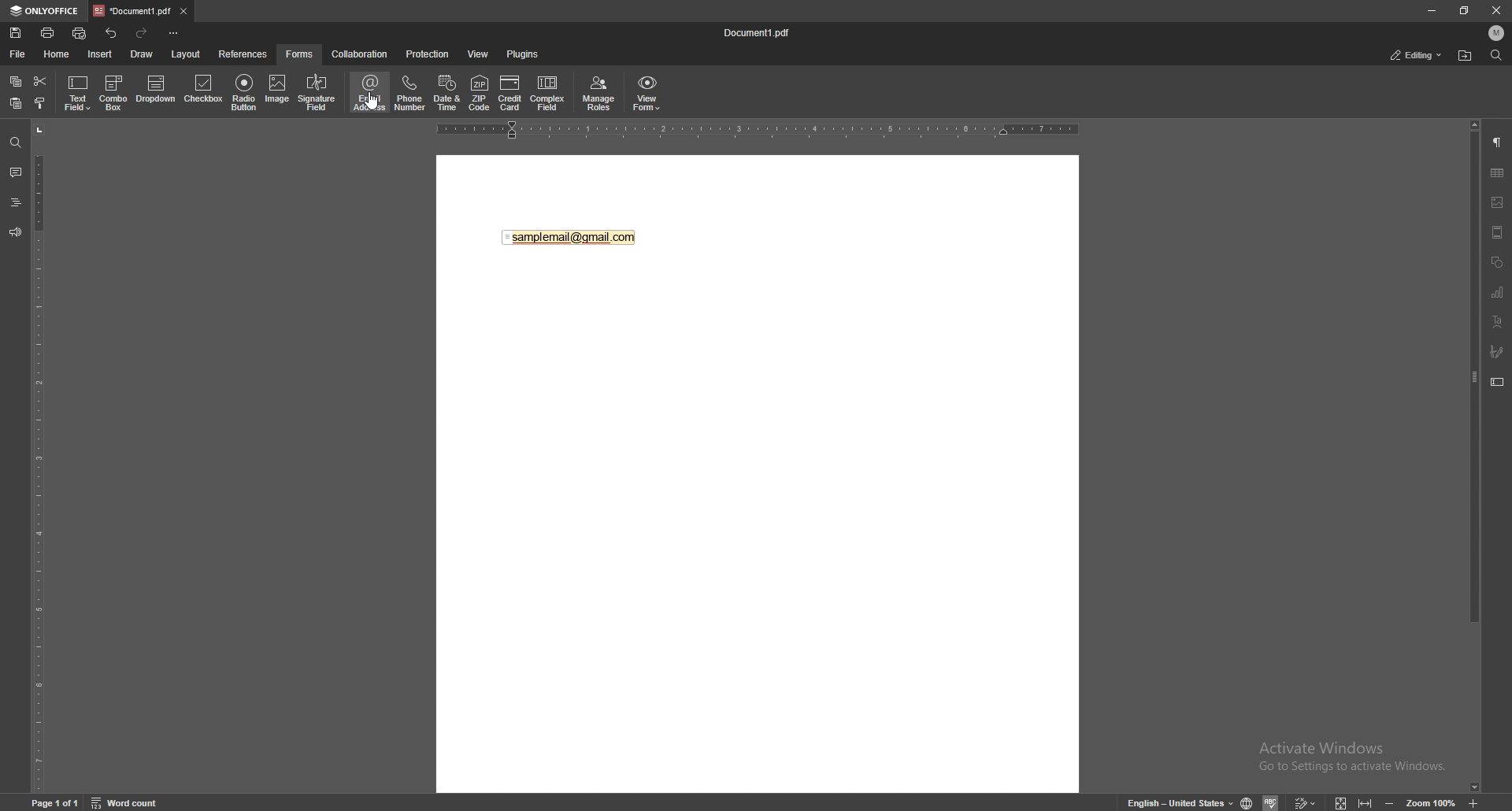 The height and width of the screenshot is (811, 1512). I want to click on track changes, so click(1306, 802).